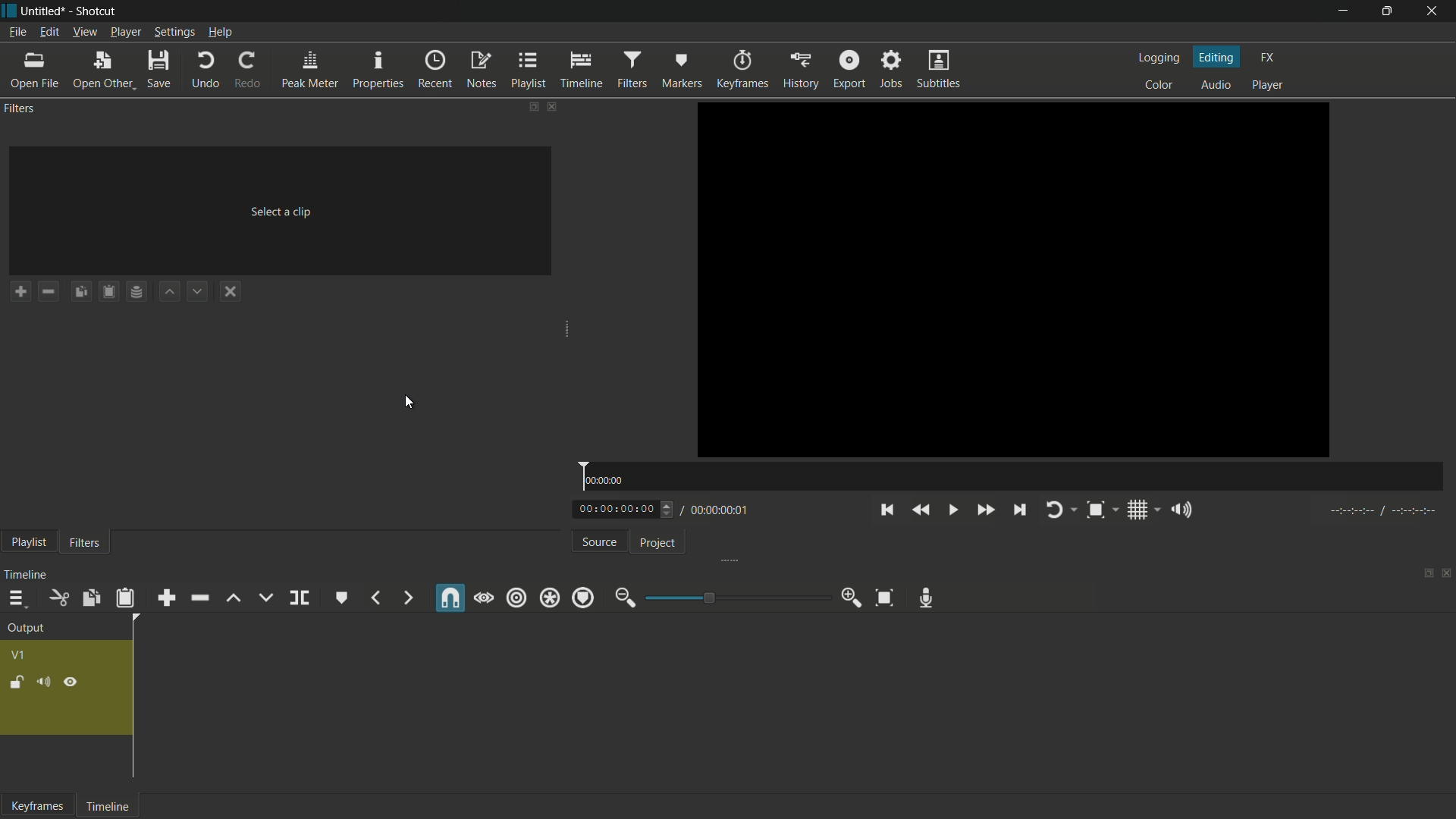  I want to click on Forward, so click(405, 598).